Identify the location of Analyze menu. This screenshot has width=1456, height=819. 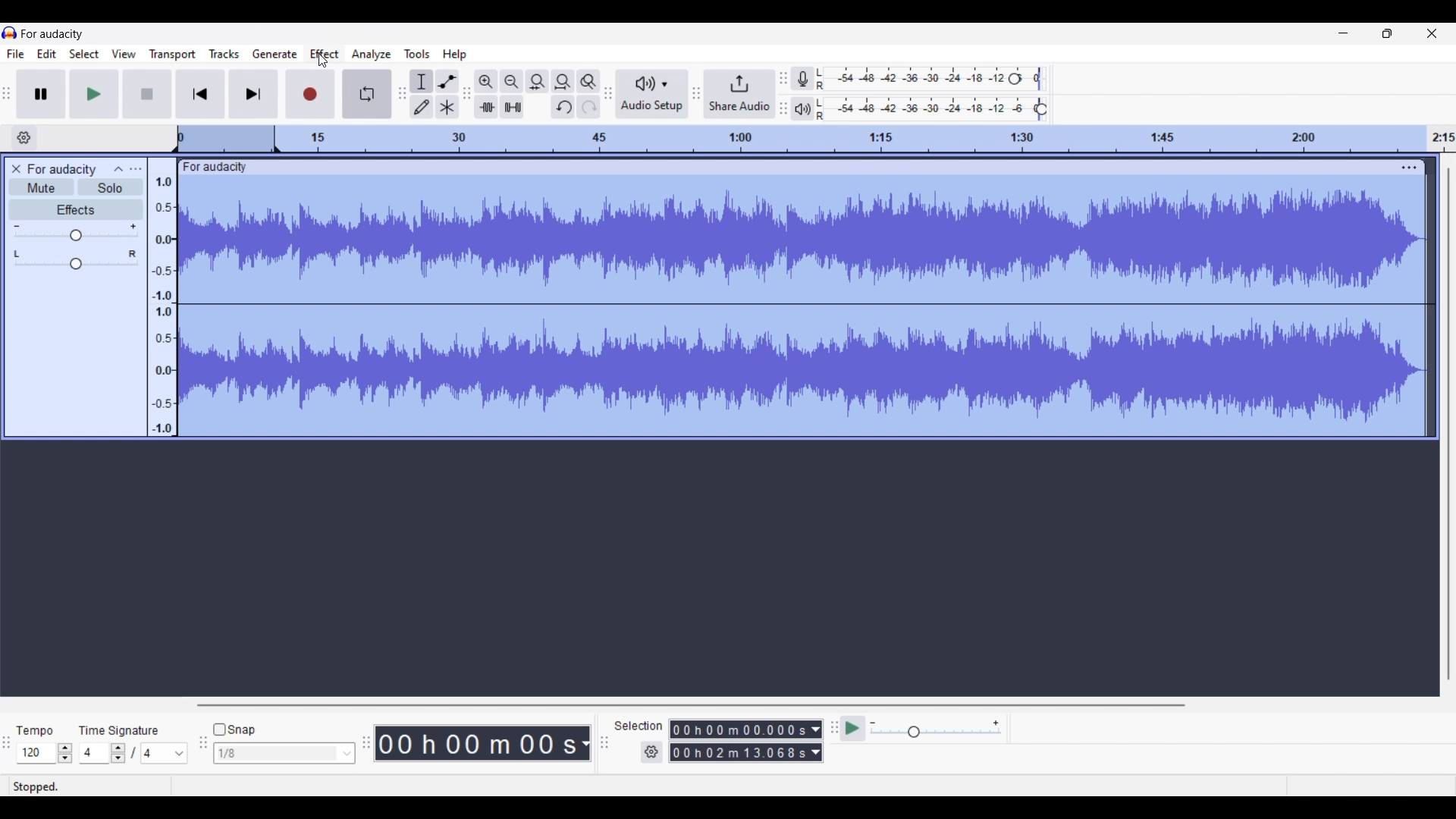
(371, 55).